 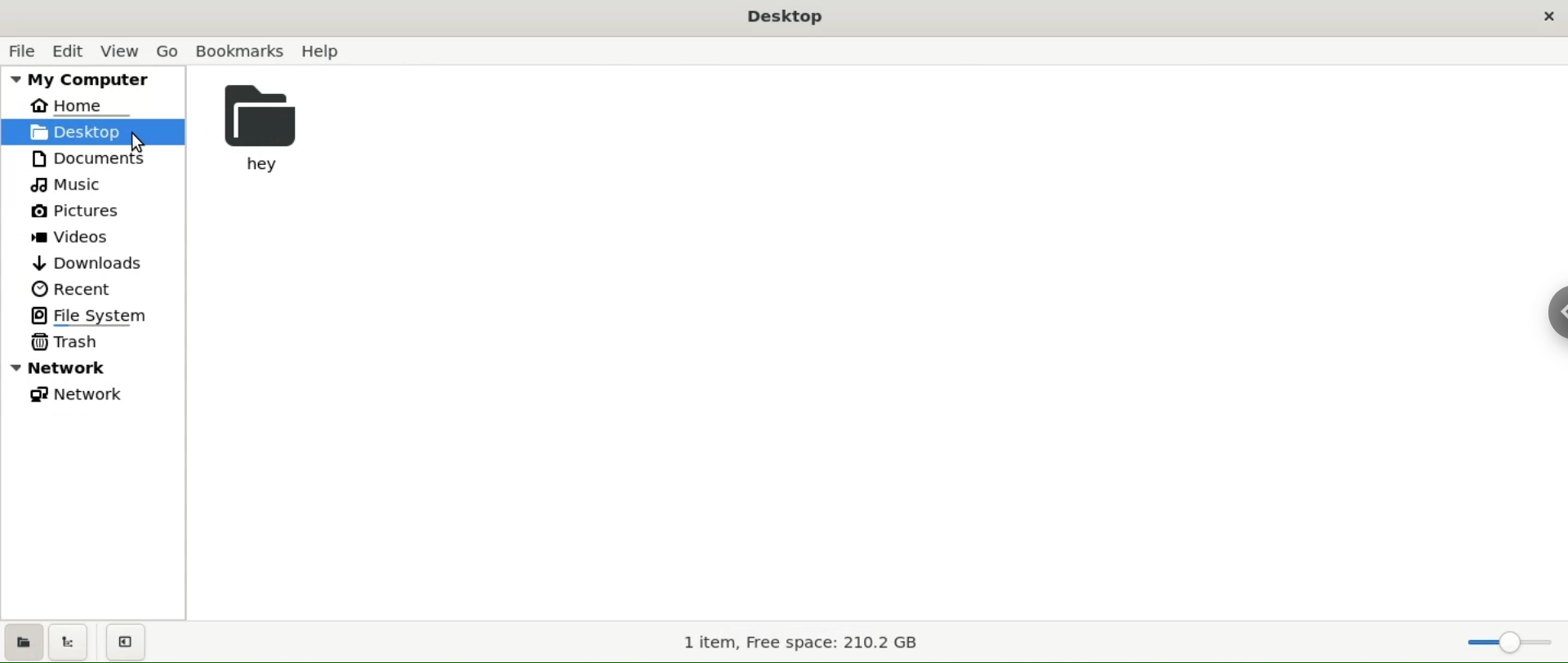 What do you see at coordinates (81, 265) in the screenshot?
I see `downloads` at bounding box center [81, 265].